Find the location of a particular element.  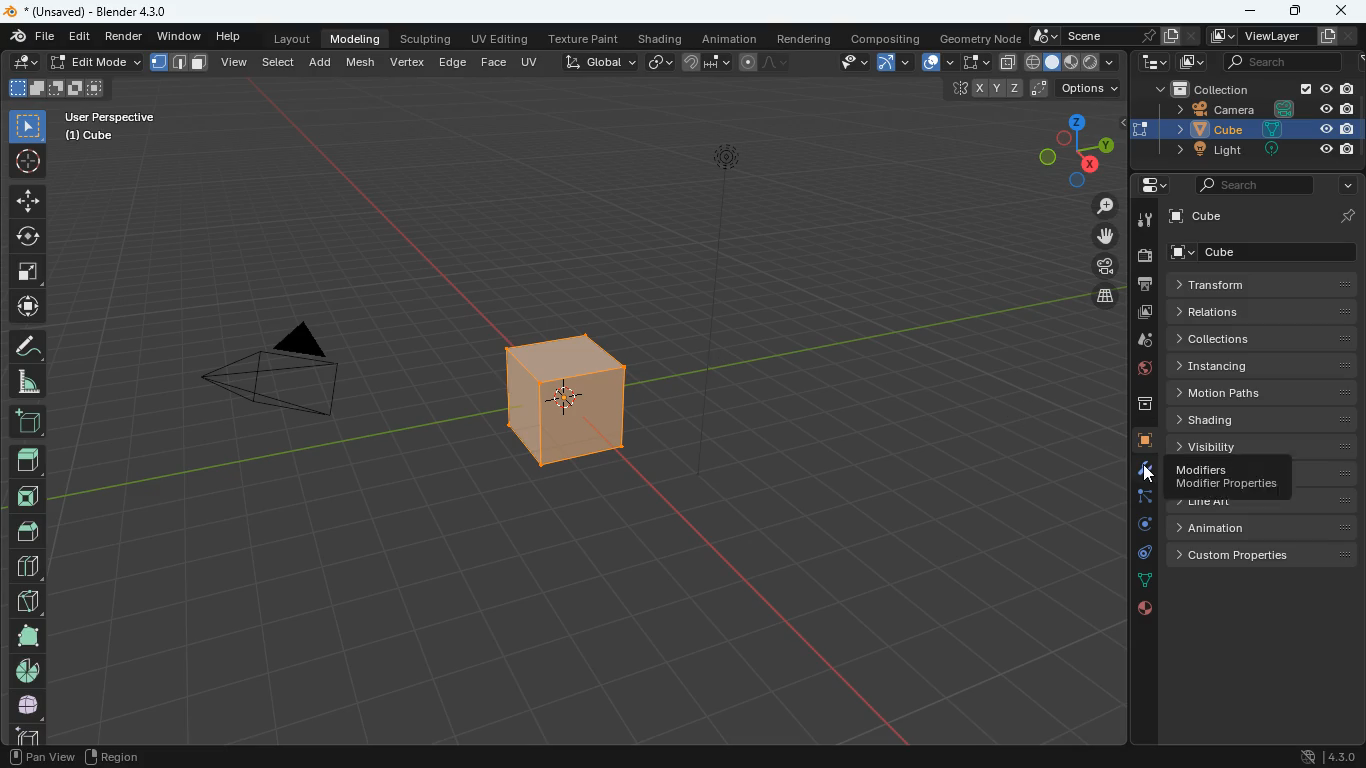

zoom is located at coordinates (1097, 208).